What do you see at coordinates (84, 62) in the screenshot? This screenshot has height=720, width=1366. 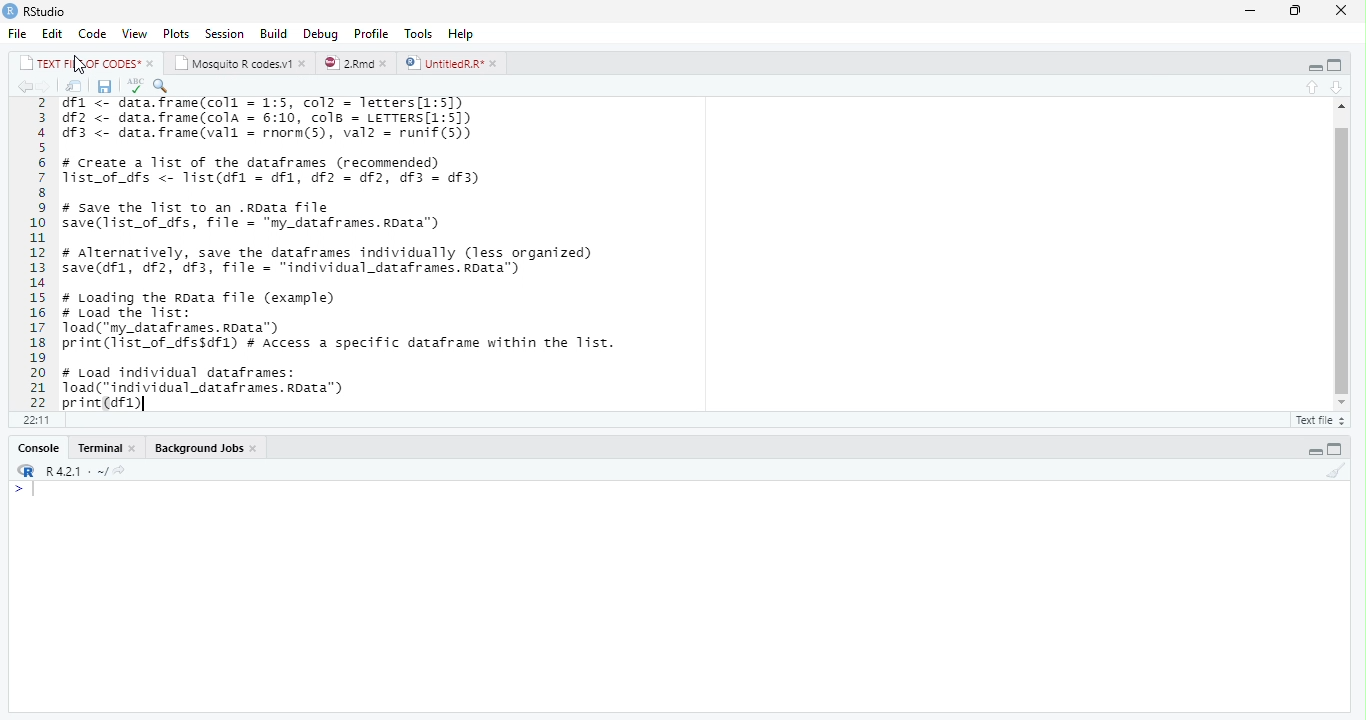 I see `TEXT FILE OF CODES*` at bounding box center [84, 62].